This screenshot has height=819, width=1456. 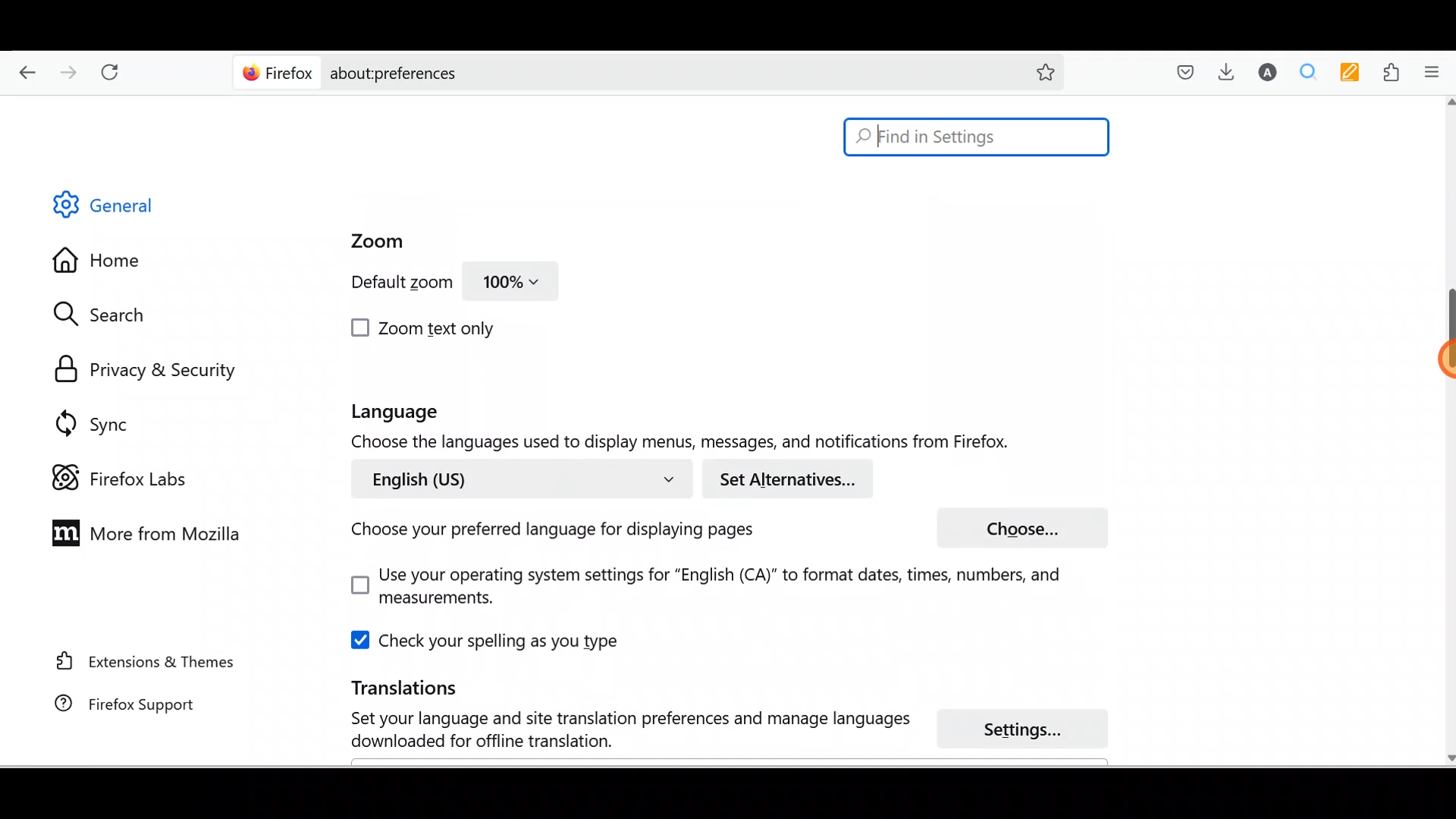 What do you see at coordinates (142, 532) in the screenshot?
I see `More from Mozilla` at bounding box center [142, 532].